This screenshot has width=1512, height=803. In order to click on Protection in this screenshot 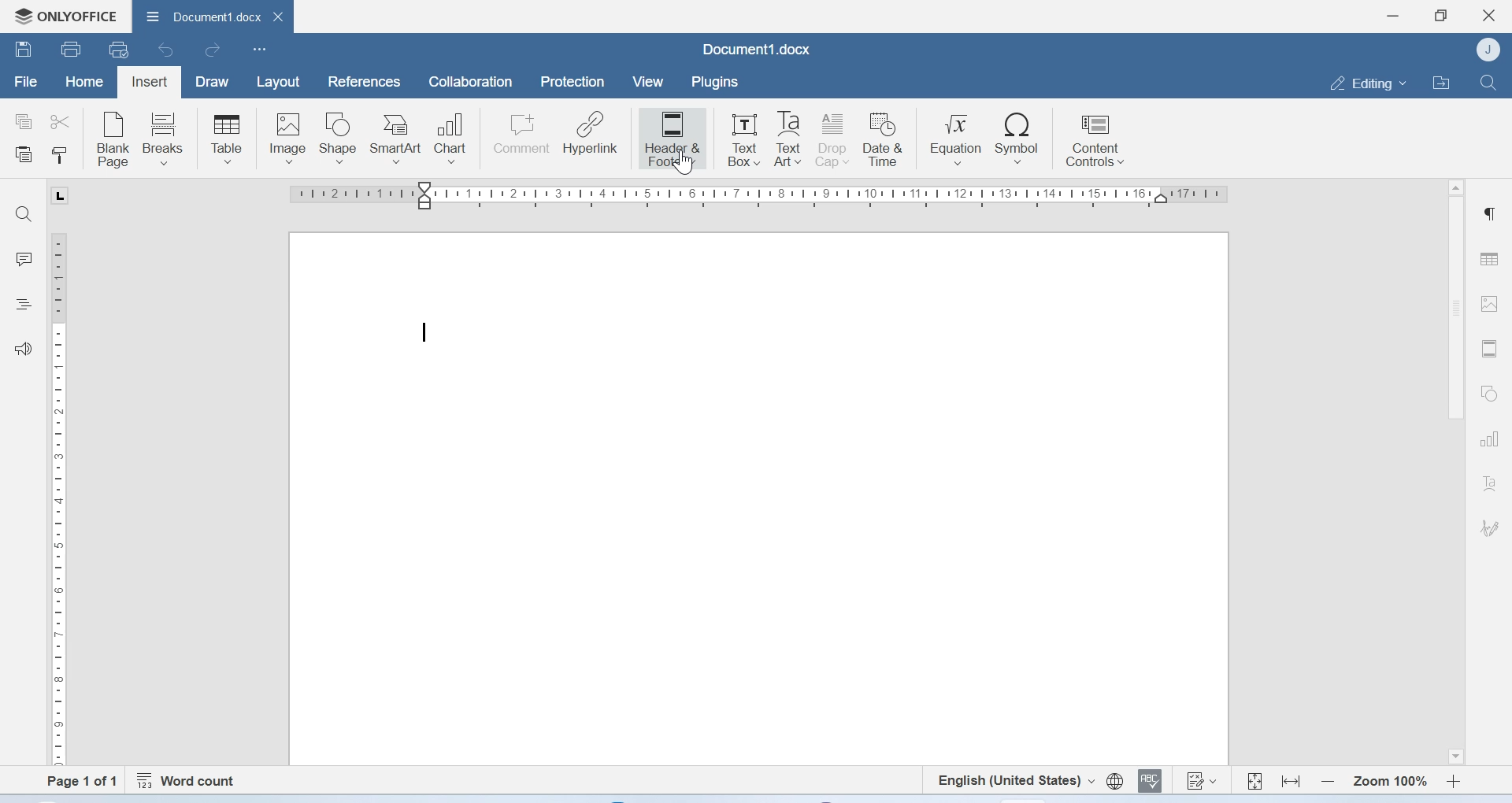, I will do `click(574, 83)`.